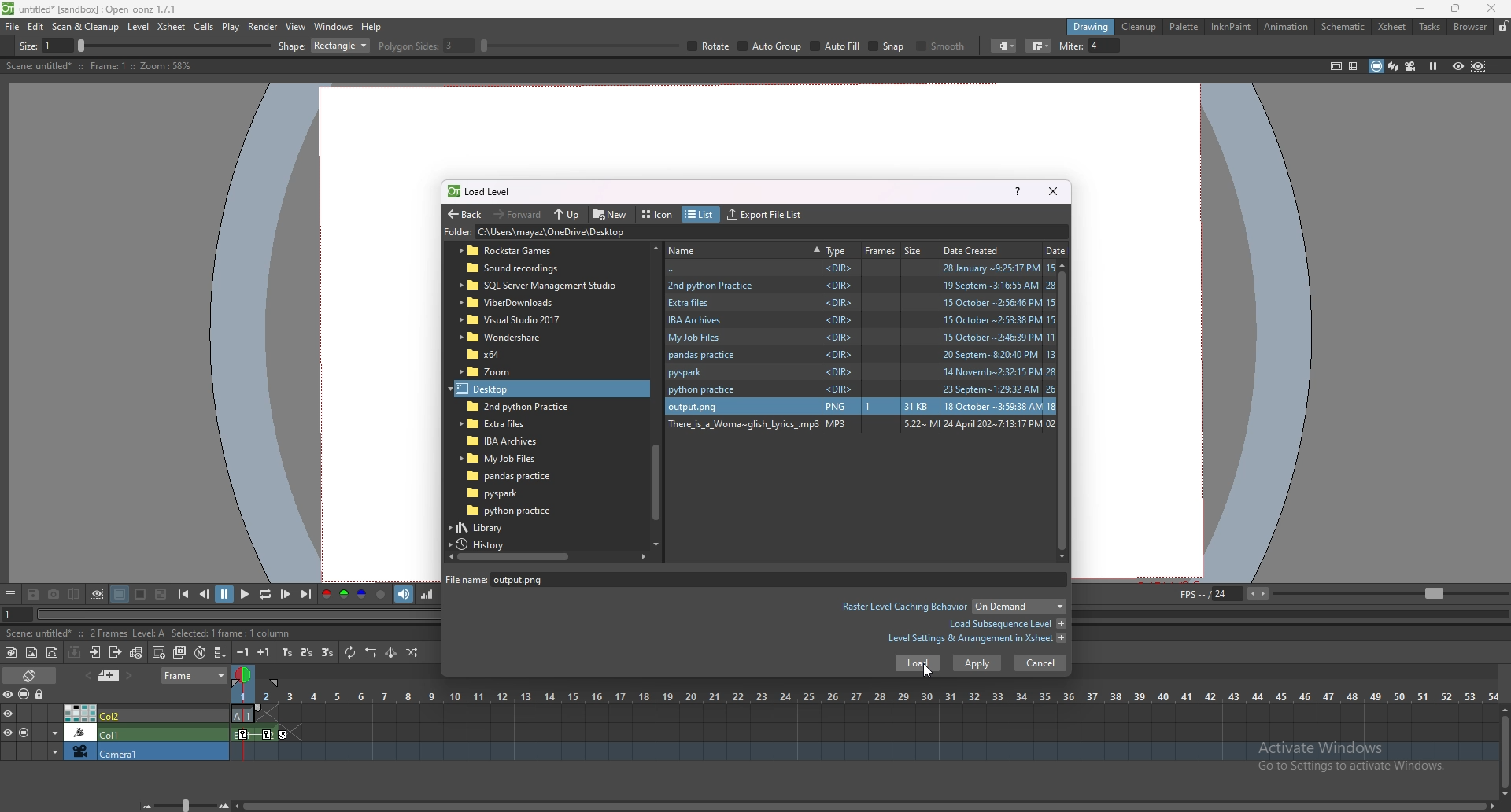 The height and width of the screenshot is (812, 1511). What do you see at coordinates (1287, 27) in the screenshot?
I see `animation` at bounding box center [1287, 27].